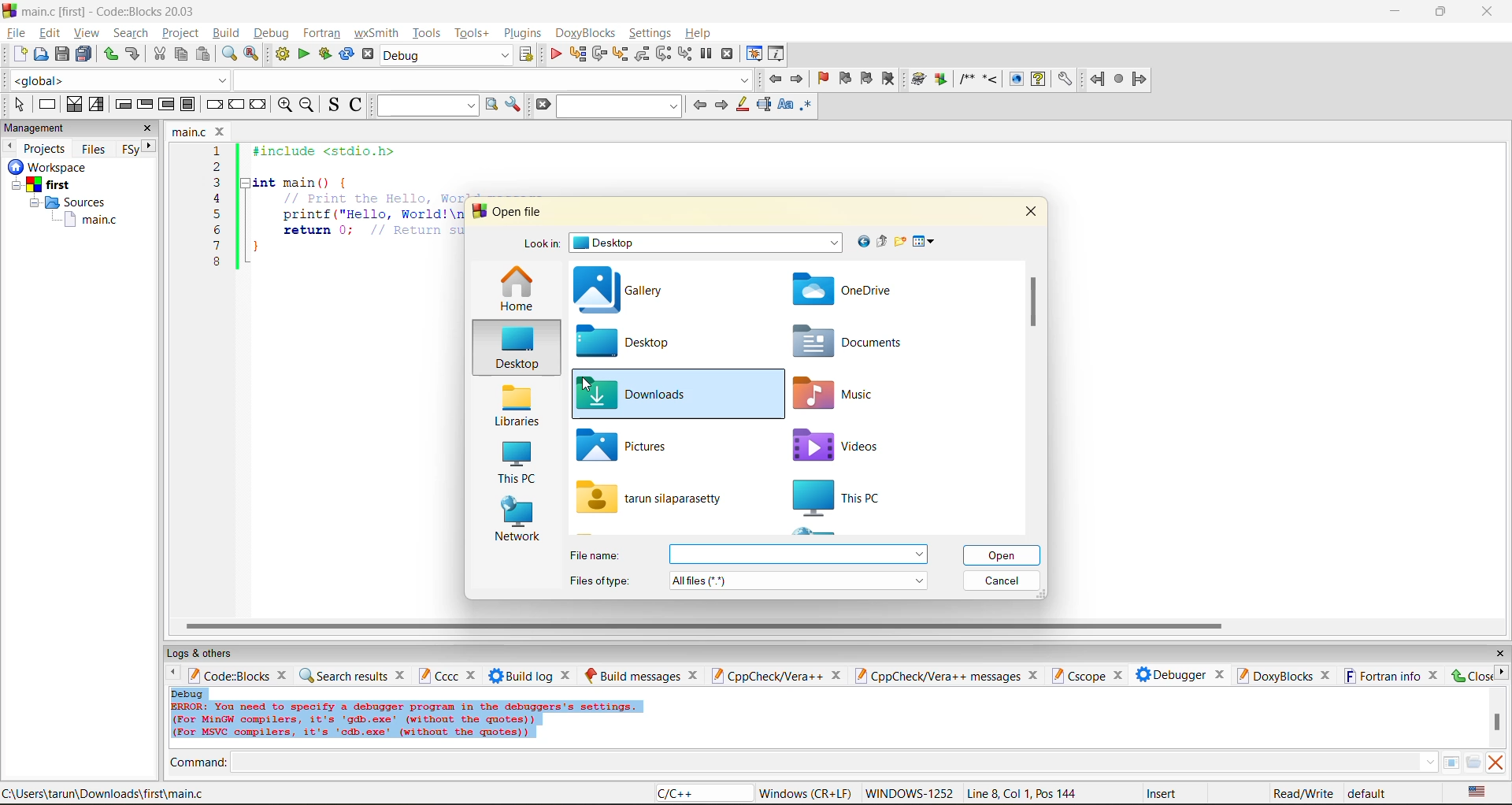  I want to click on help, so click(1038, 79).